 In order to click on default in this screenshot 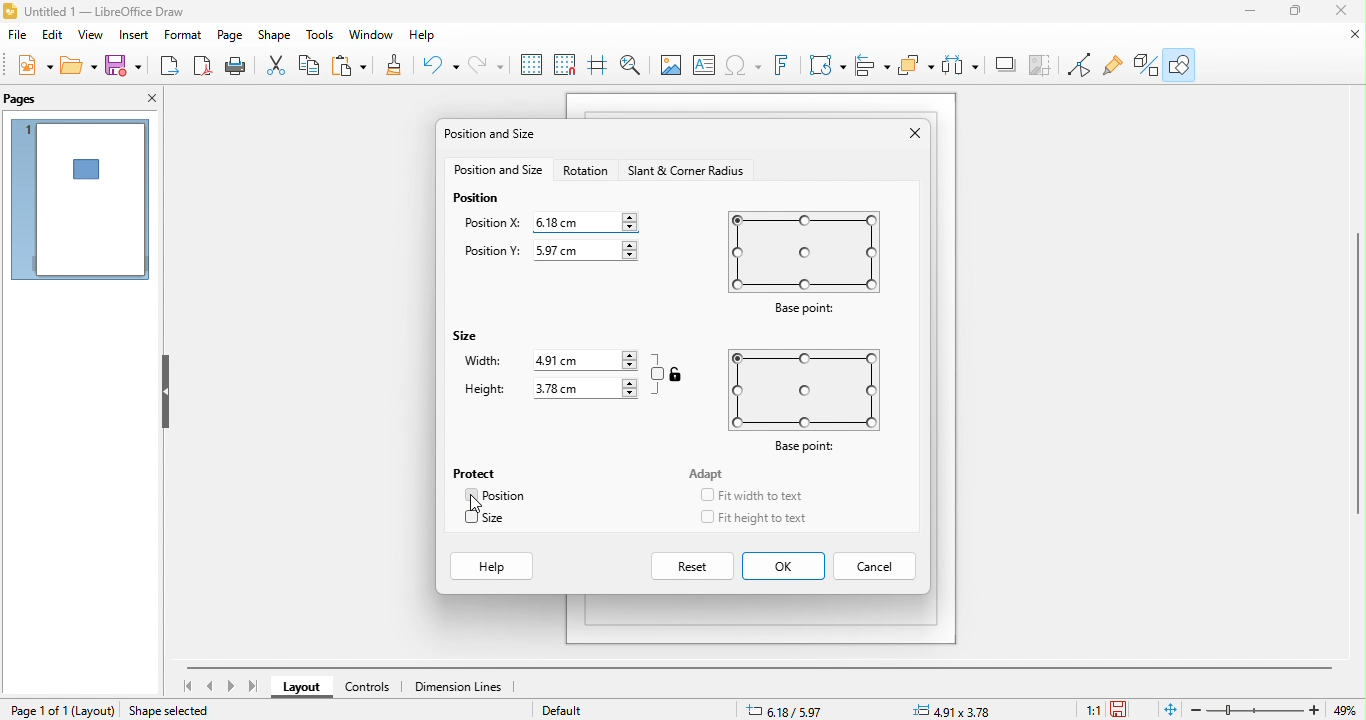, I will do `click(575, 709)`.